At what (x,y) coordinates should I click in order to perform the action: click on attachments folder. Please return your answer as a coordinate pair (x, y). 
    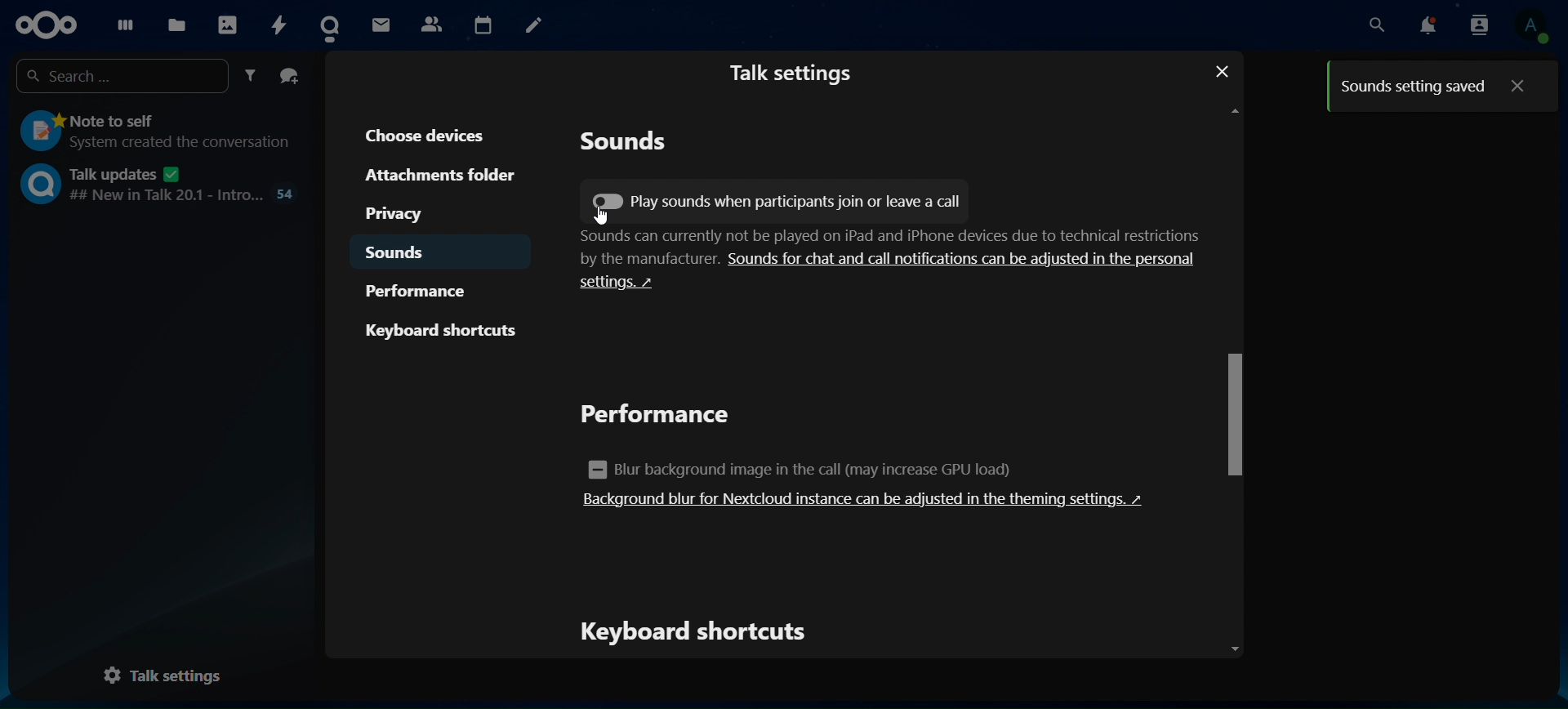
    Looking at the image, I should click on (440, 176).